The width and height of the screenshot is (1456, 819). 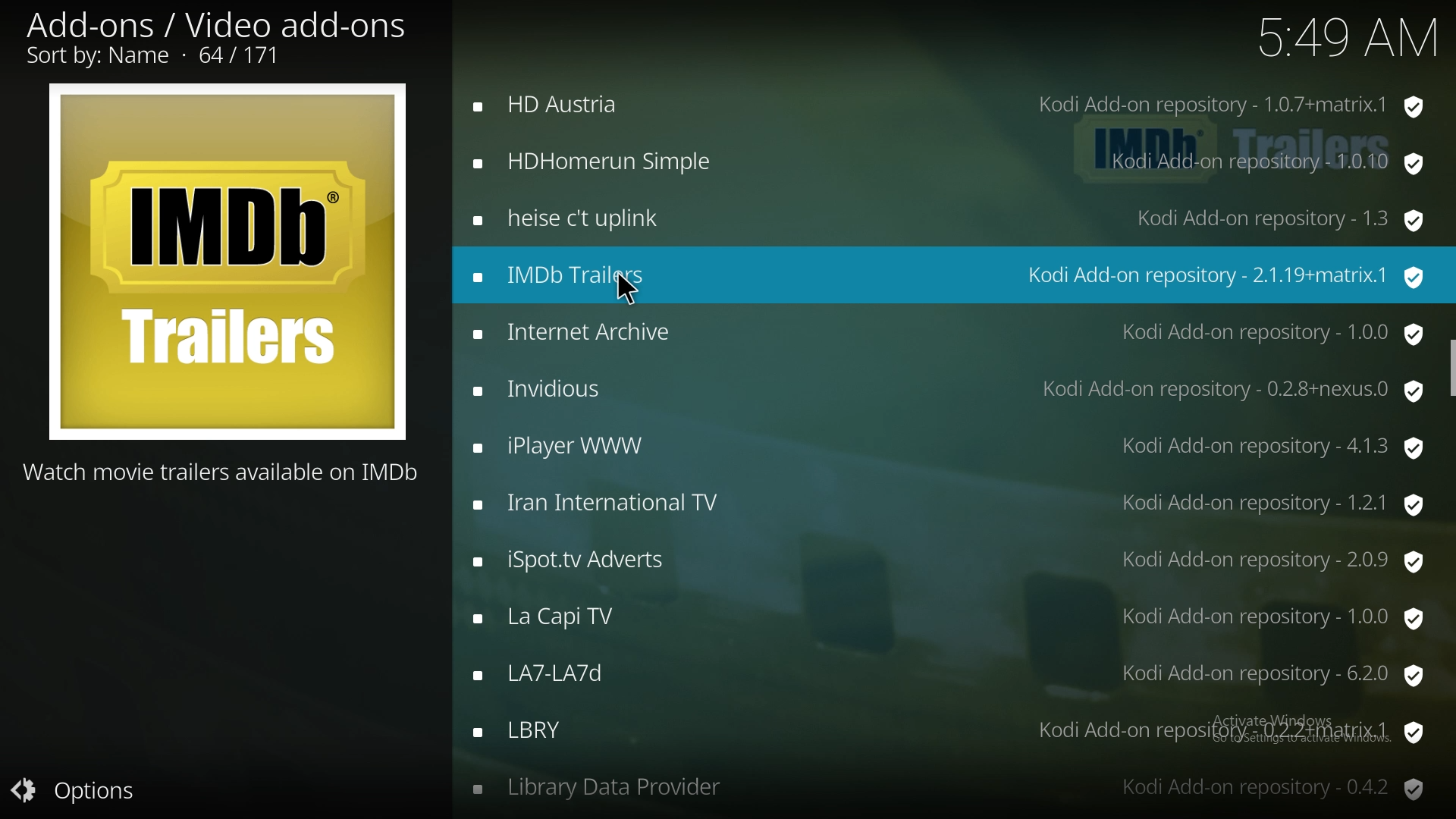 I want to click on scroll bar, so click(x=1450, y=367).